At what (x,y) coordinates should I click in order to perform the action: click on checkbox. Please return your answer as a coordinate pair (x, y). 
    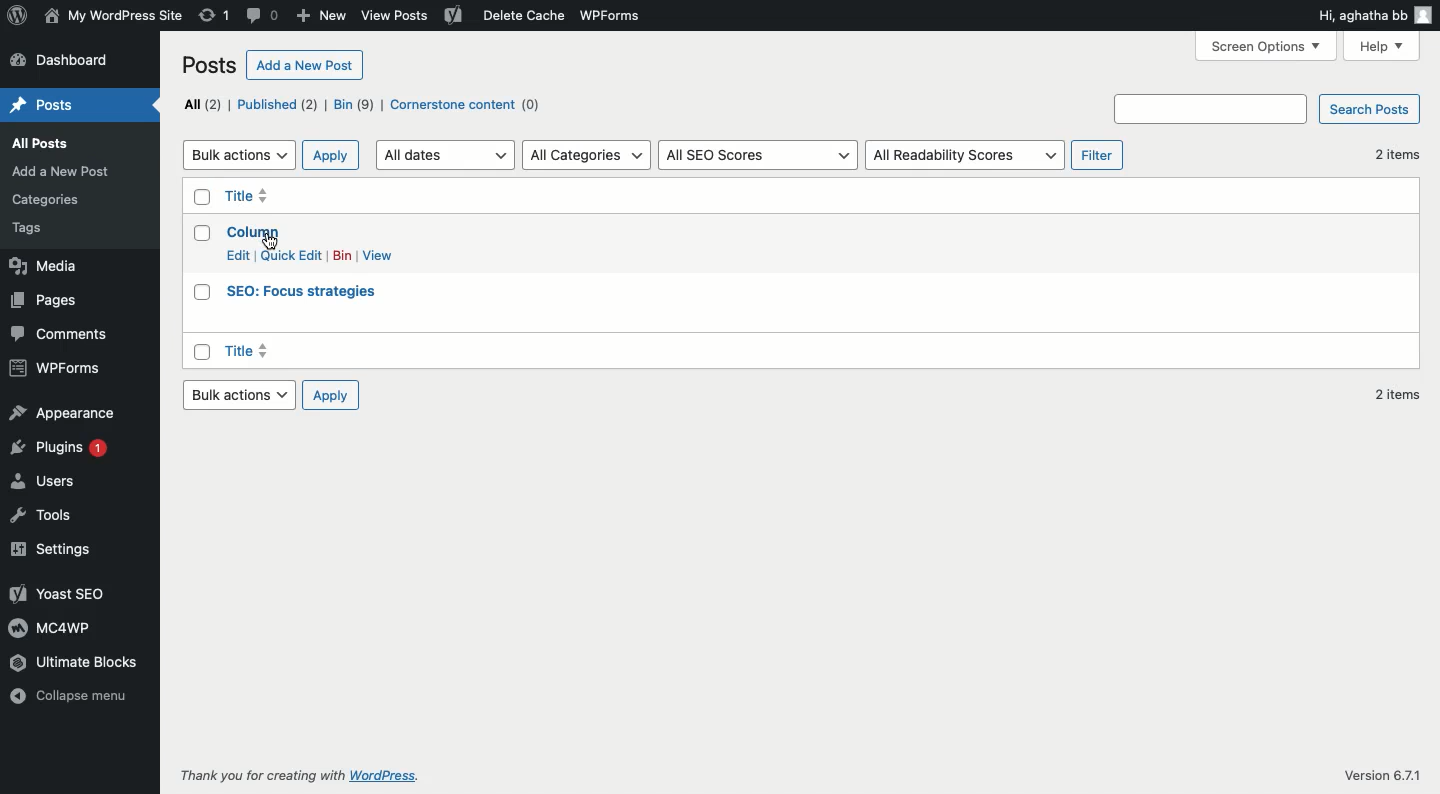
    Looking at the image, I should click on (202, 199).